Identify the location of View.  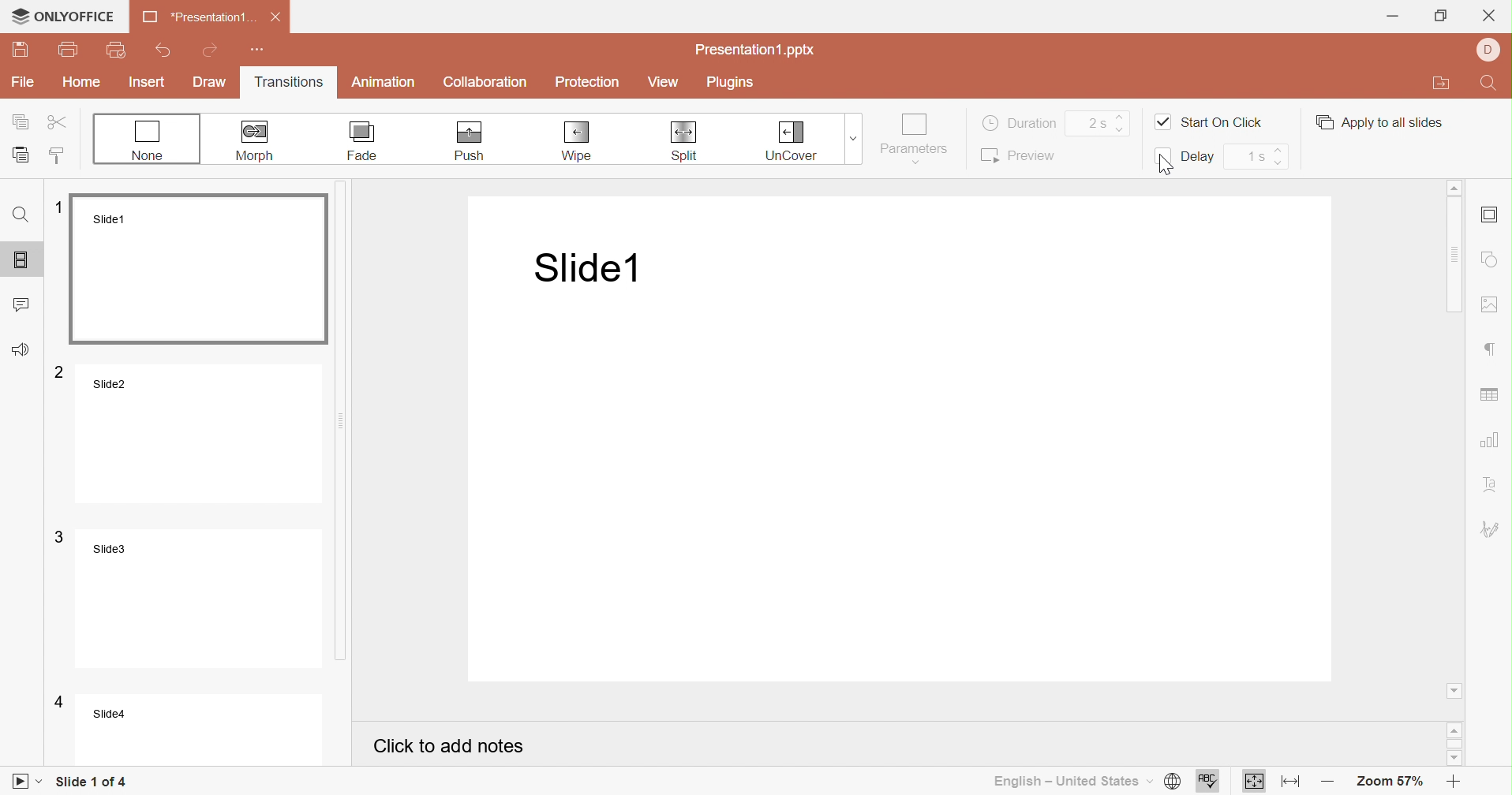
(663, 84).